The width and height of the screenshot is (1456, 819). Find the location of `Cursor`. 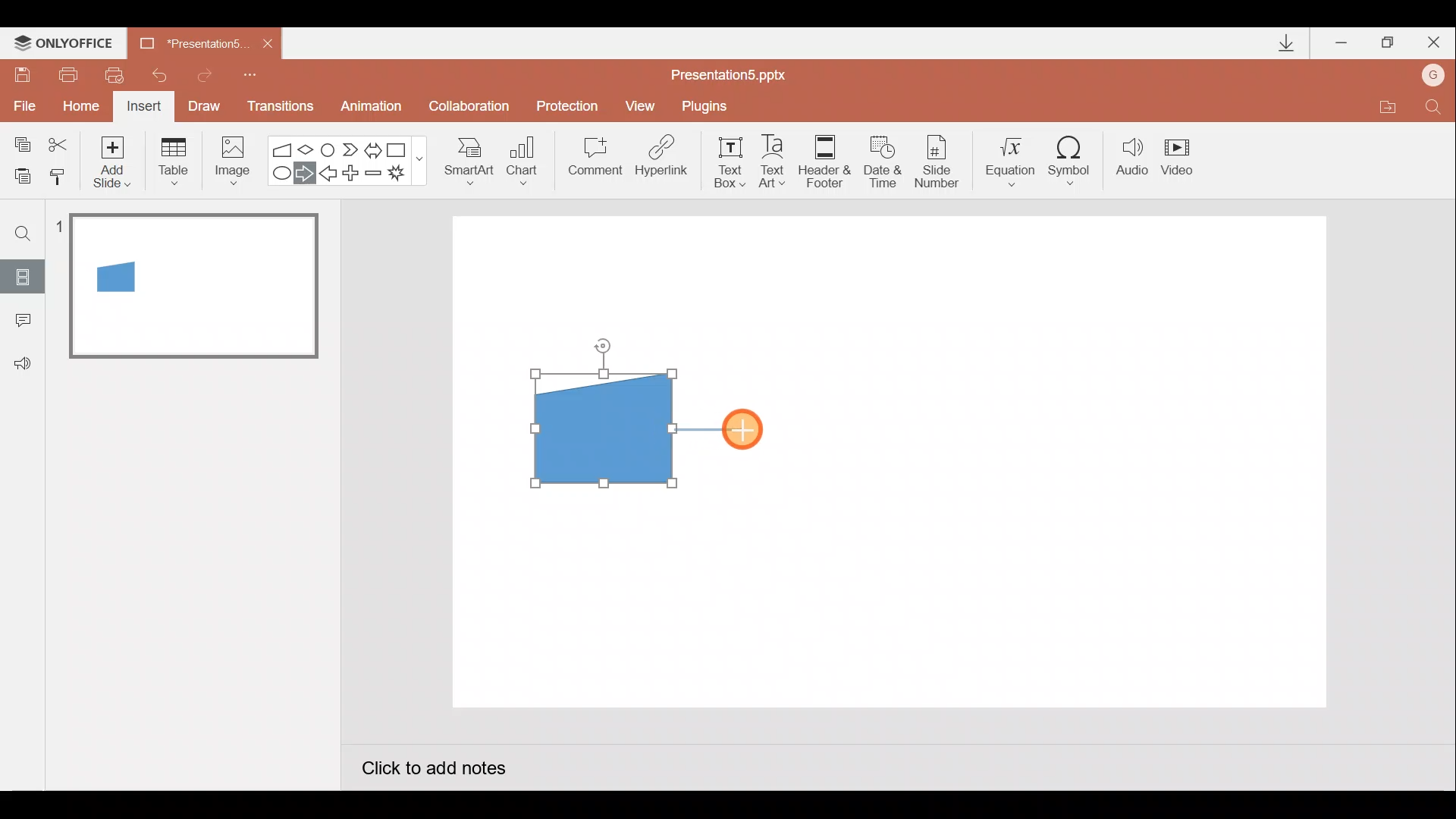

Cursor is located at coordinates (743, 430).